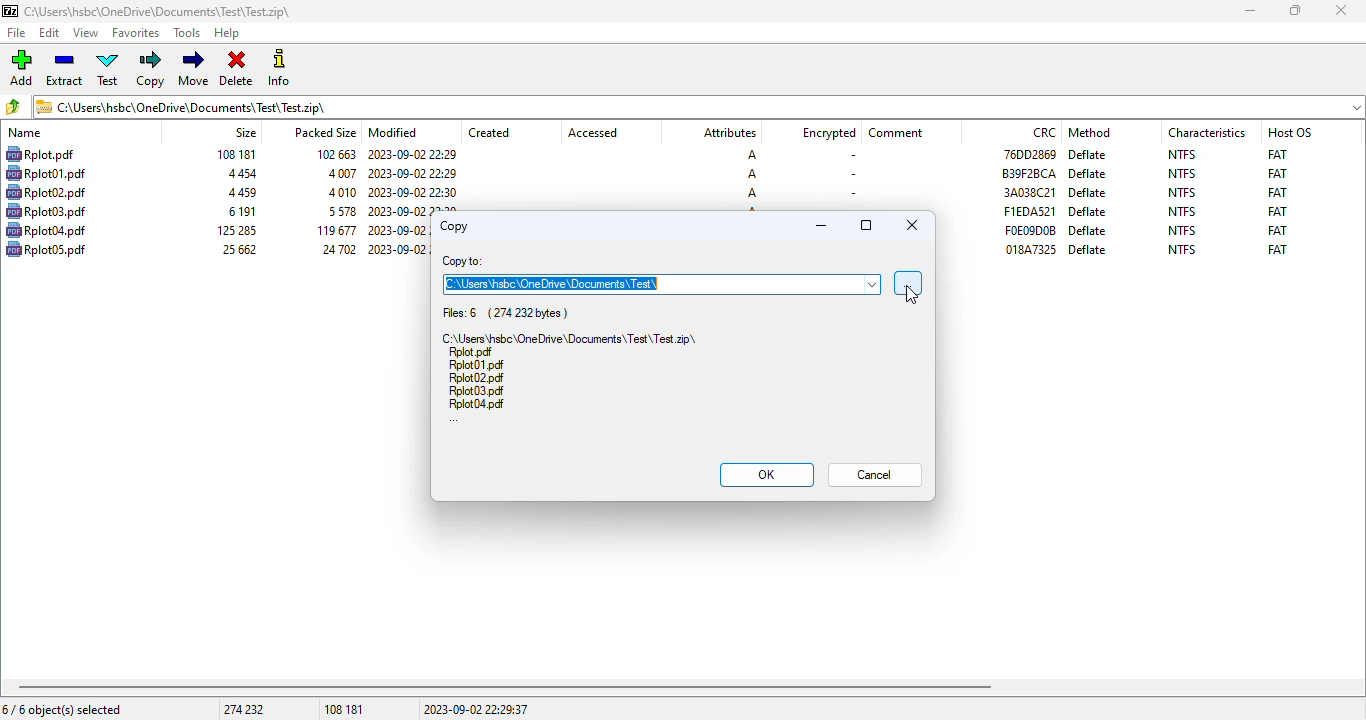  What do you see at coordinates (46, 211) in the screenshot?
I see `file` at bounding box center [46, 211].